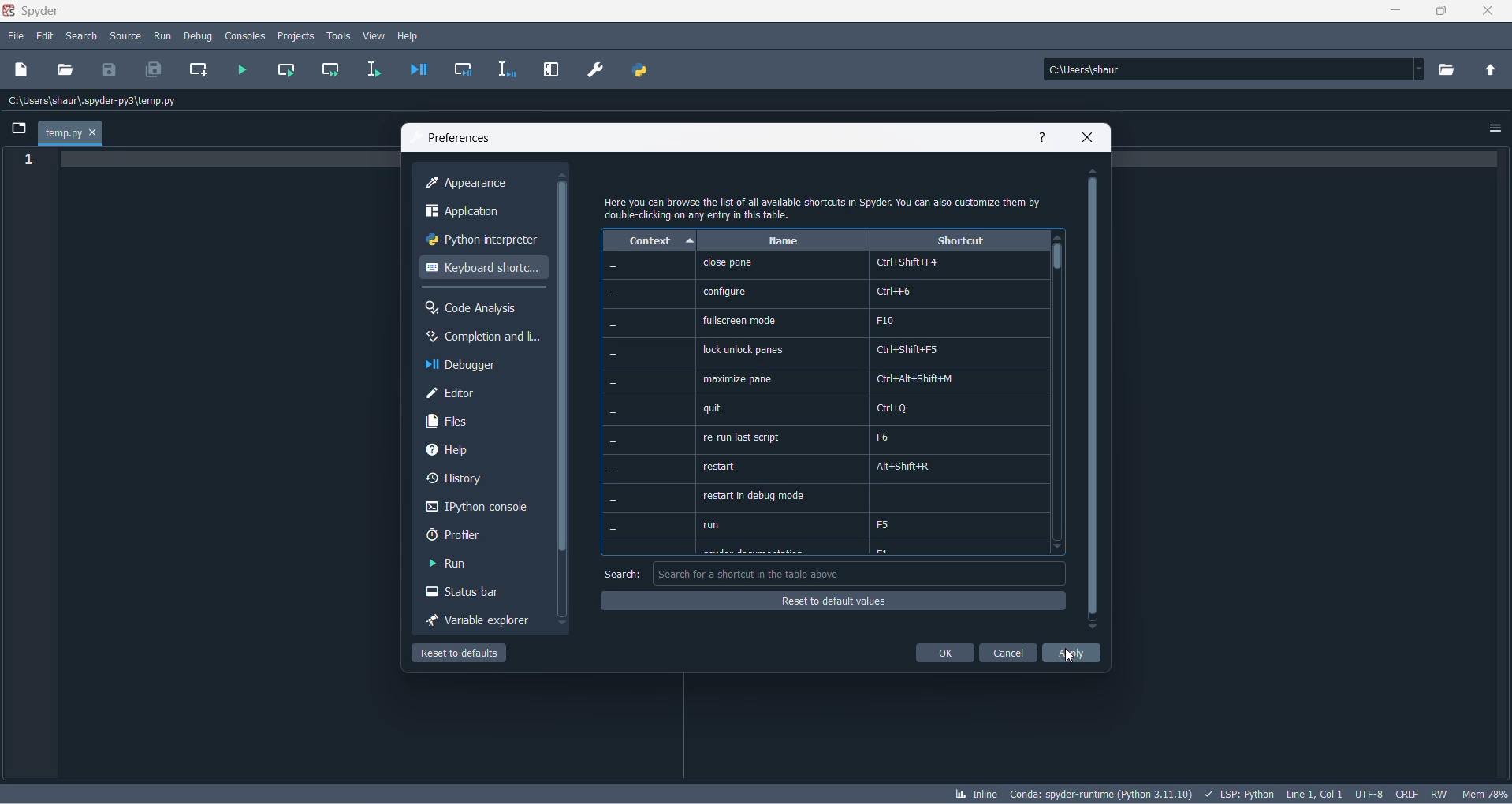  Describe the element at coordinates (826, 207) in the screenshot. I see `text` at that location.